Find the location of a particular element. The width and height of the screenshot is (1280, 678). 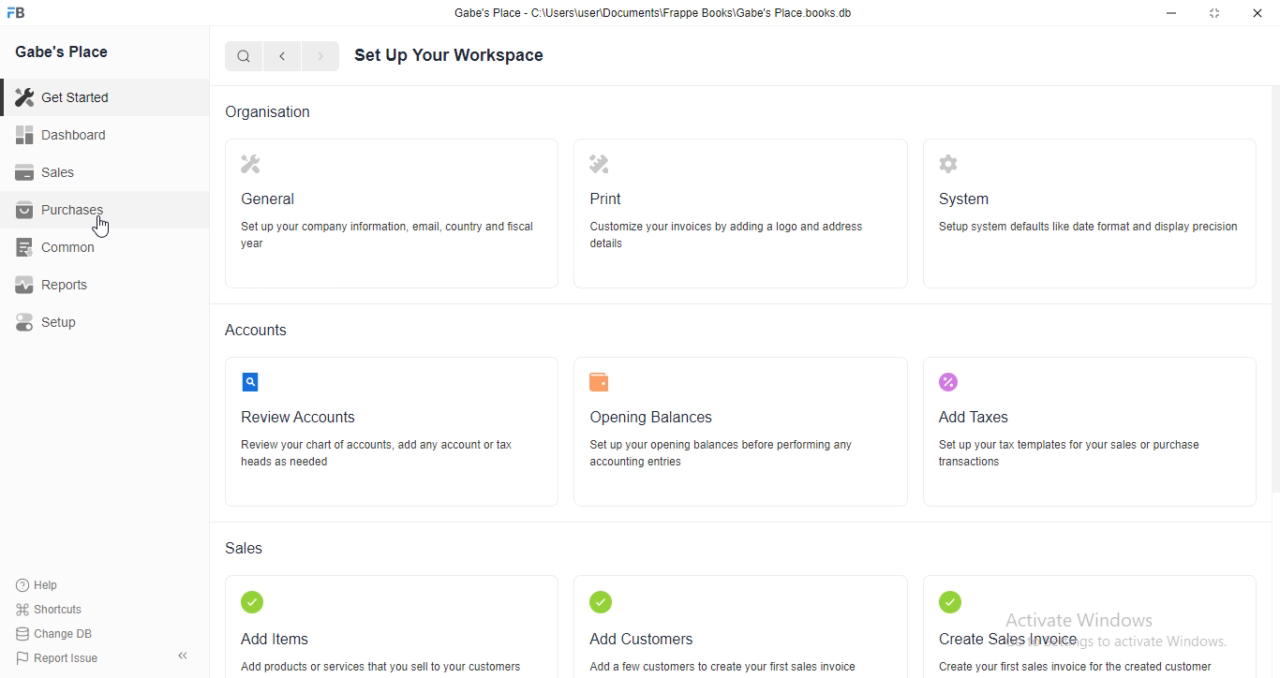

‘Set up your tax templates for your sales or purchase tansactons is located at coordinates (1070, 456).